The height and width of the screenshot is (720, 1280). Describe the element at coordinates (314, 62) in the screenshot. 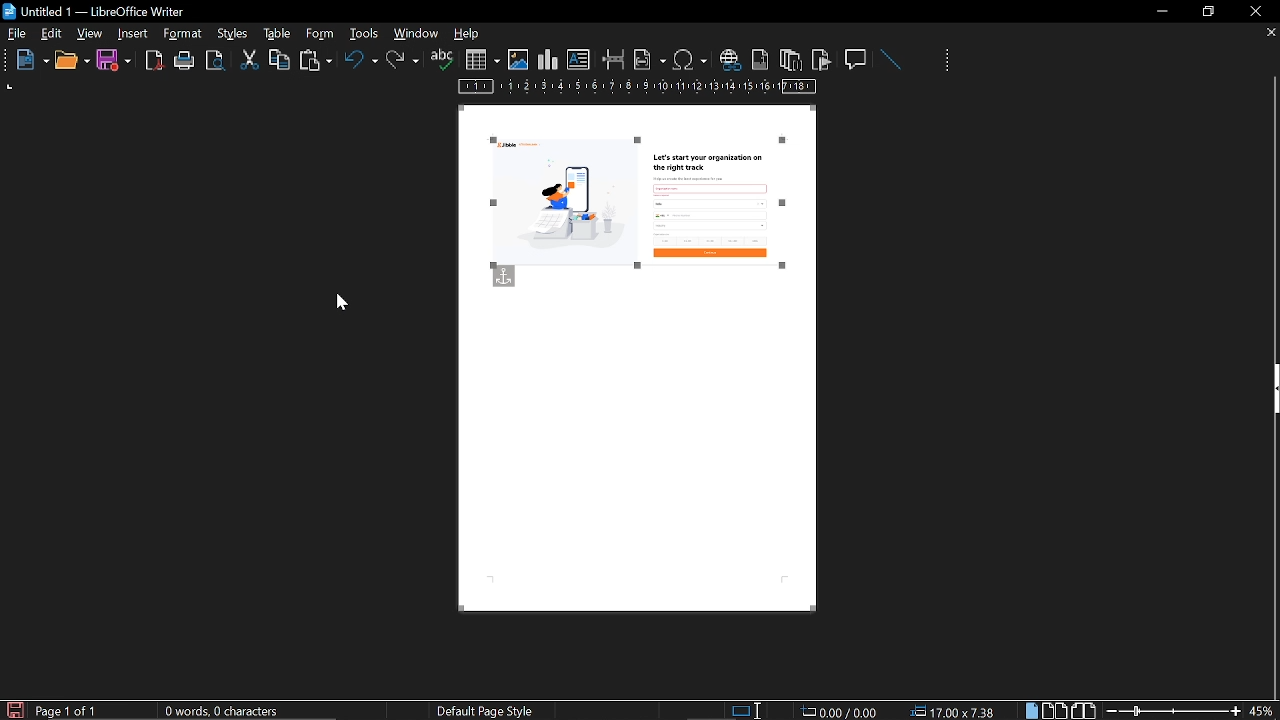

I see `paste` at that location.